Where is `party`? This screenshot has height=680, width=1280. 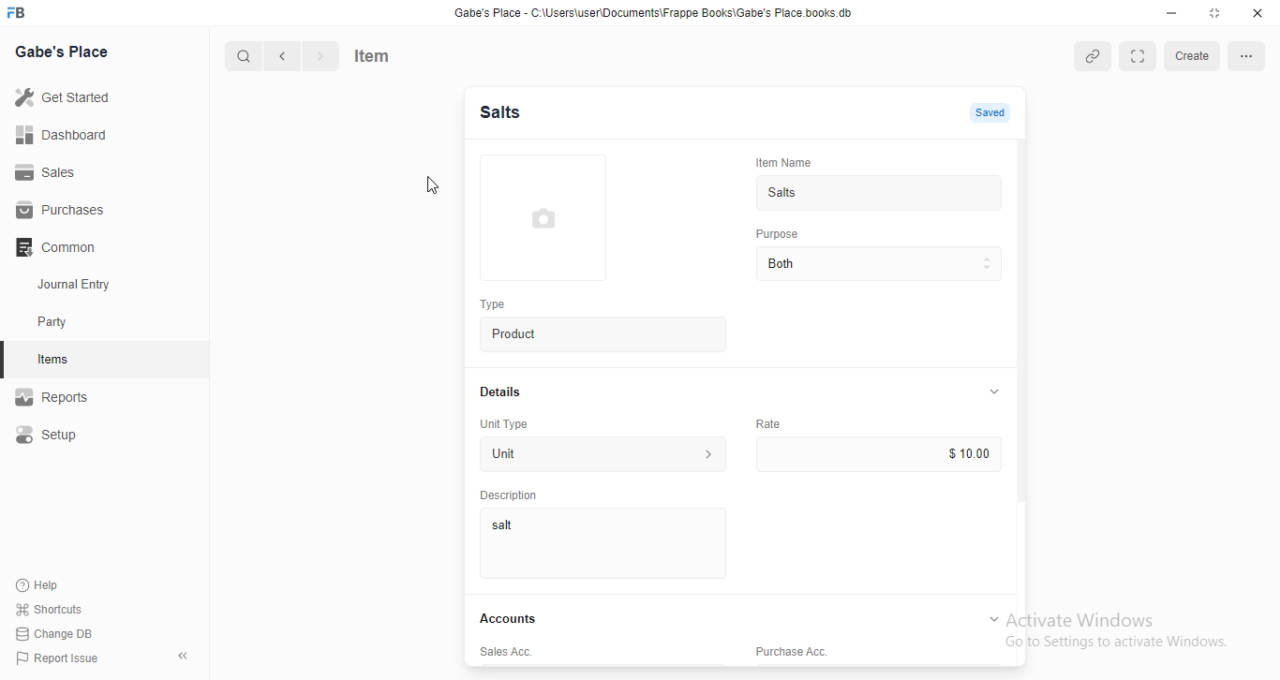 party is located at coordinates (56, 322).